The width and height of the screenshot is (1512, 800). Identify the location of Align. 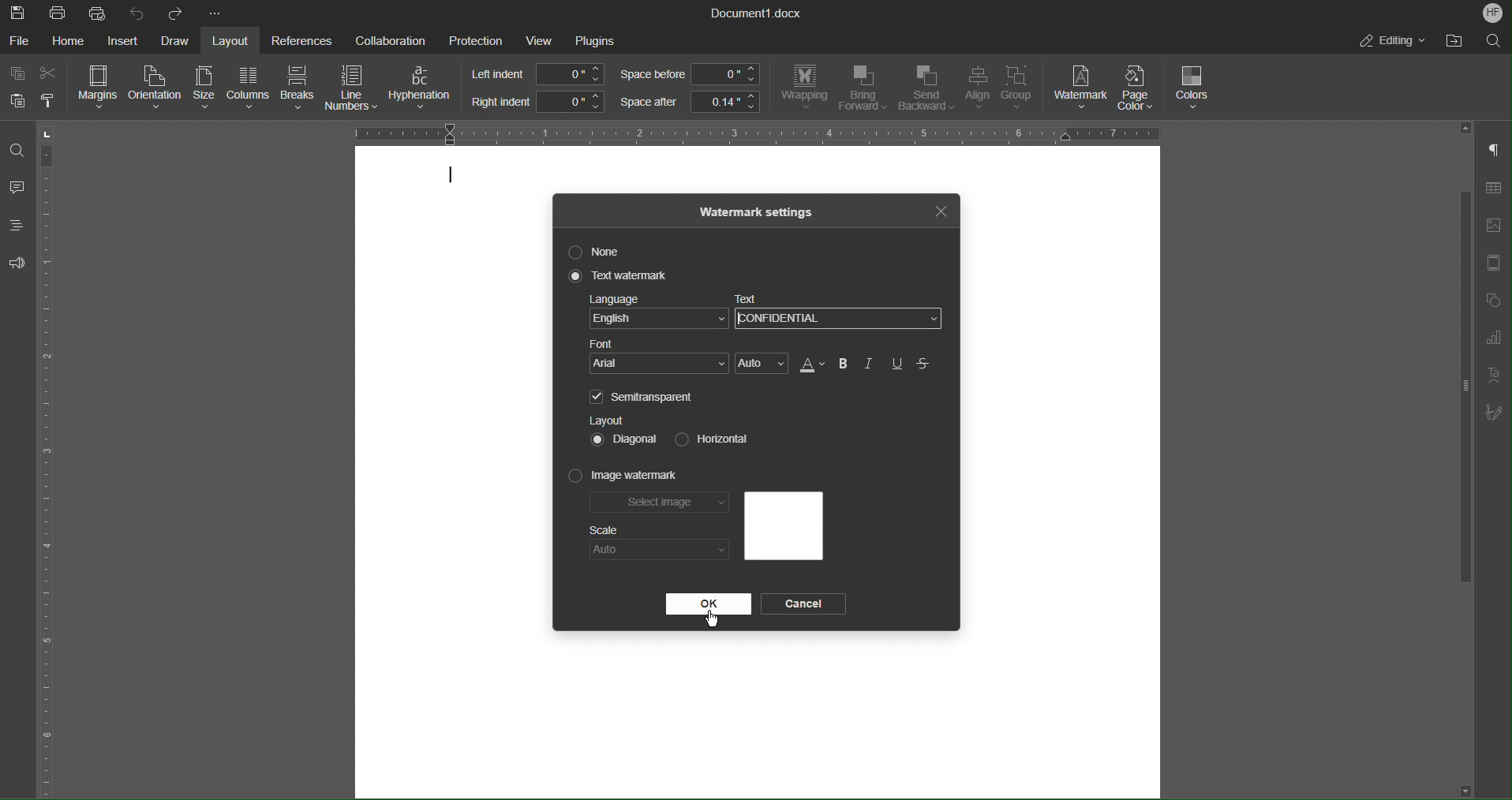
(976, 89).